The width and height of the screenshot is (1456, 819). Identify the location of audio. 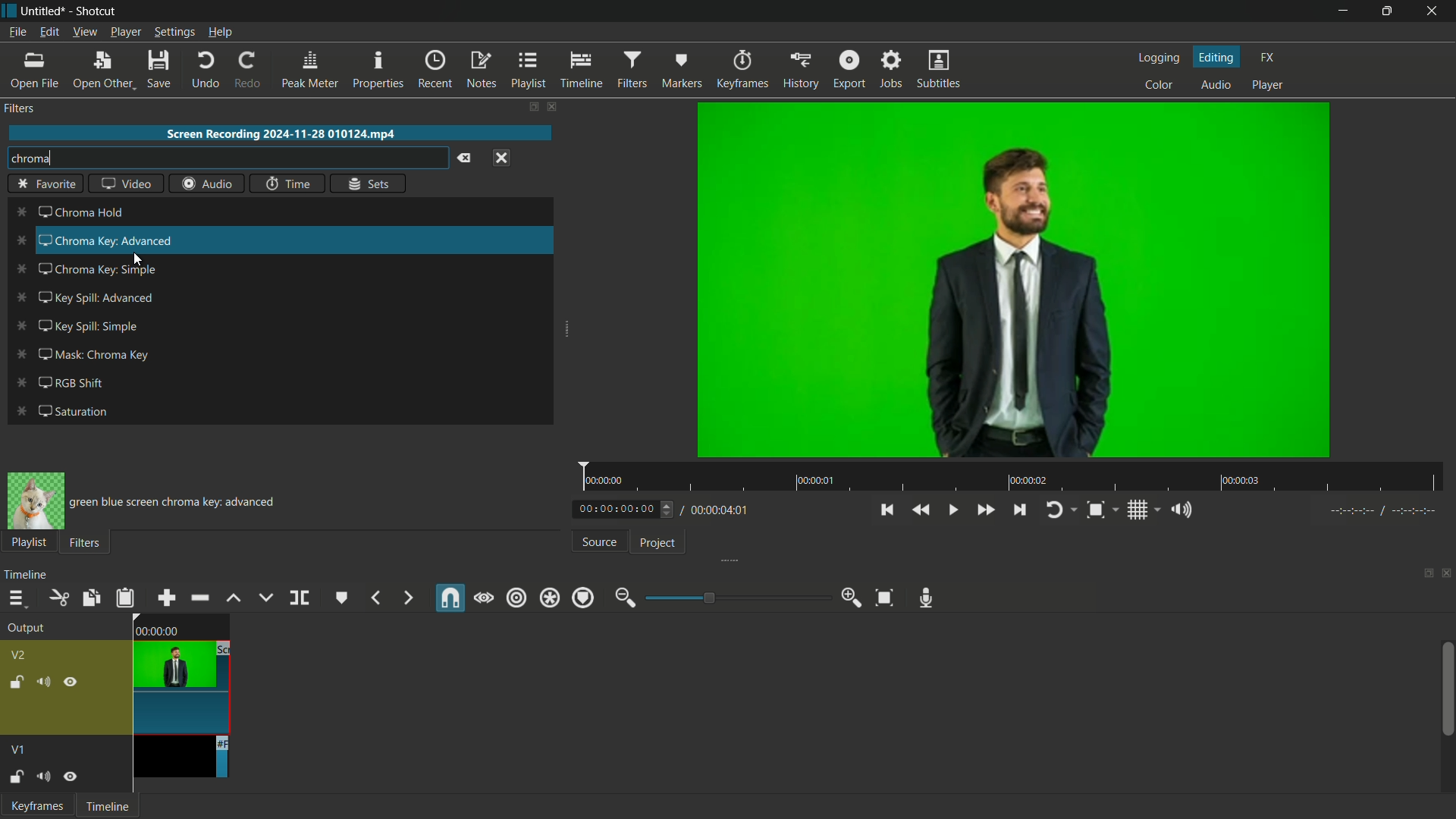
(1216, 86).